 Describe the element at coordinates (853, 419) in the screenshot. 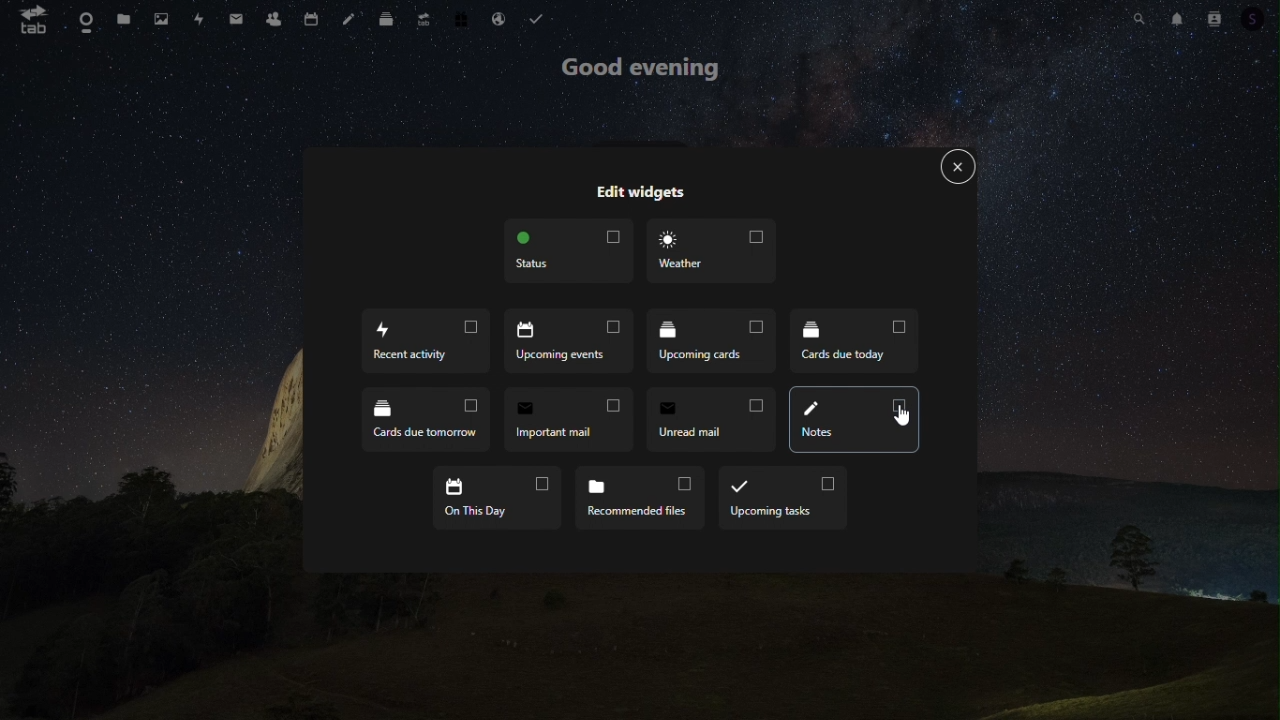

I see `Notes` at that location.